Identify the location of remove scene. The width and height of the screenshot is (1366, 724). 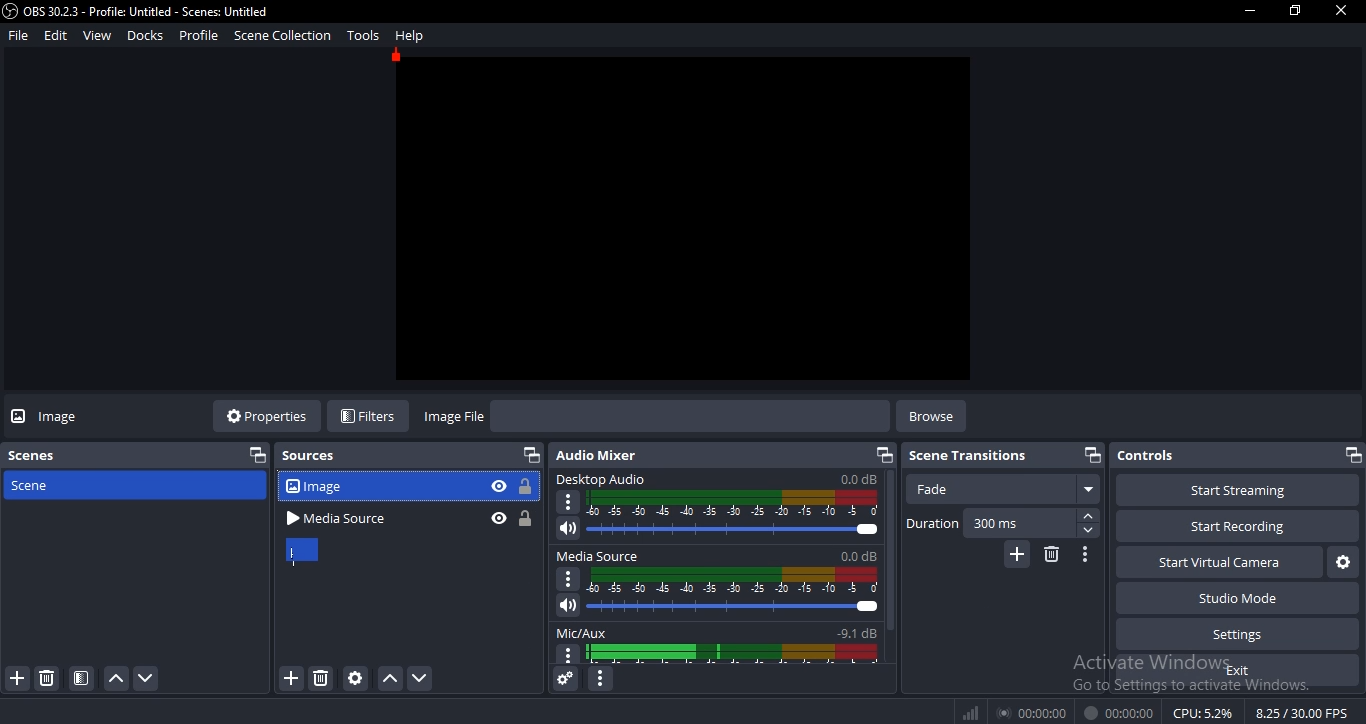
(46, 678).